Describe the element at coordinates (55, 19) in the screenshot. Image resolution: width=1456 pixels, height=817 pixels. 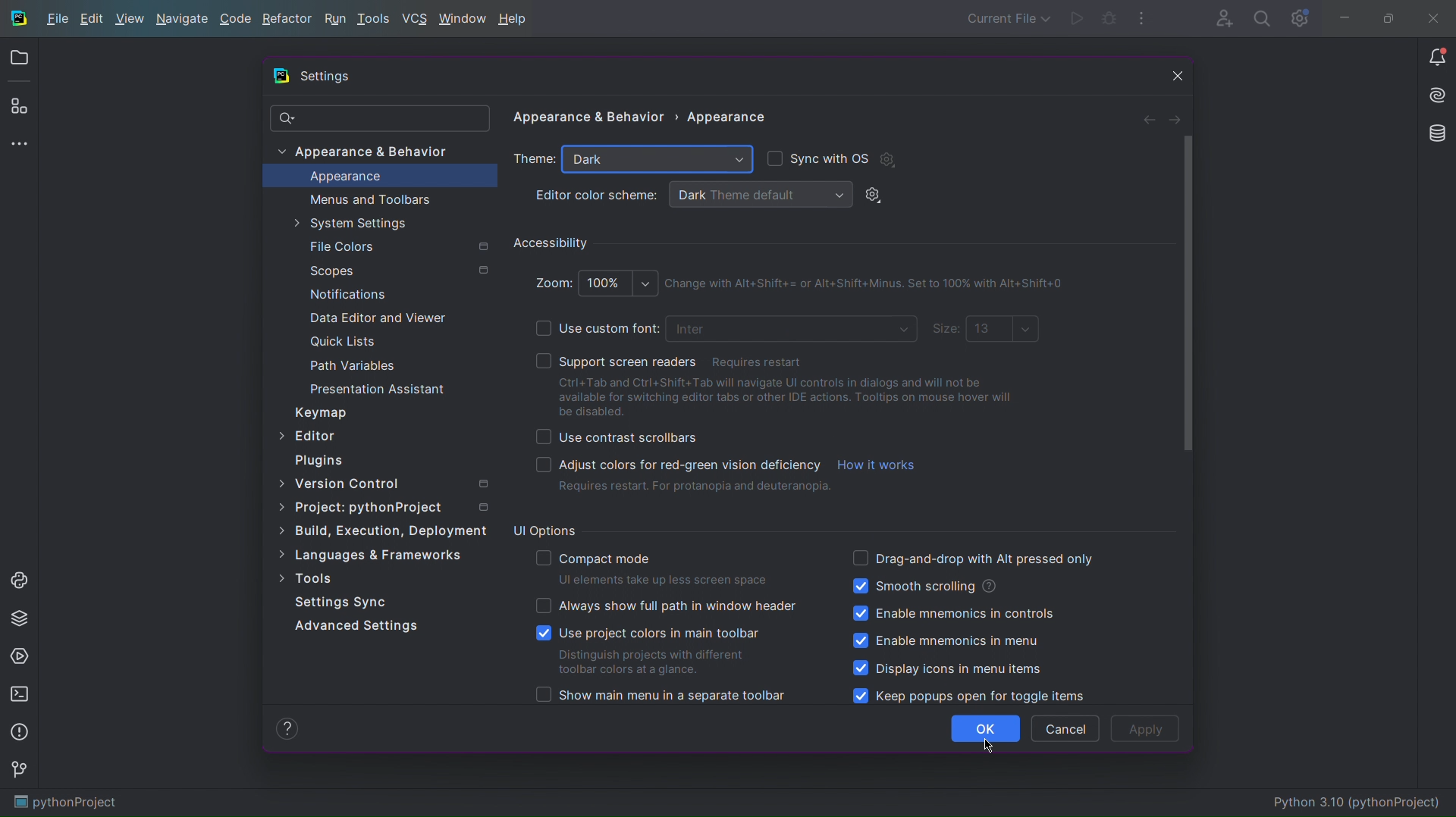
I see `File` at that location.